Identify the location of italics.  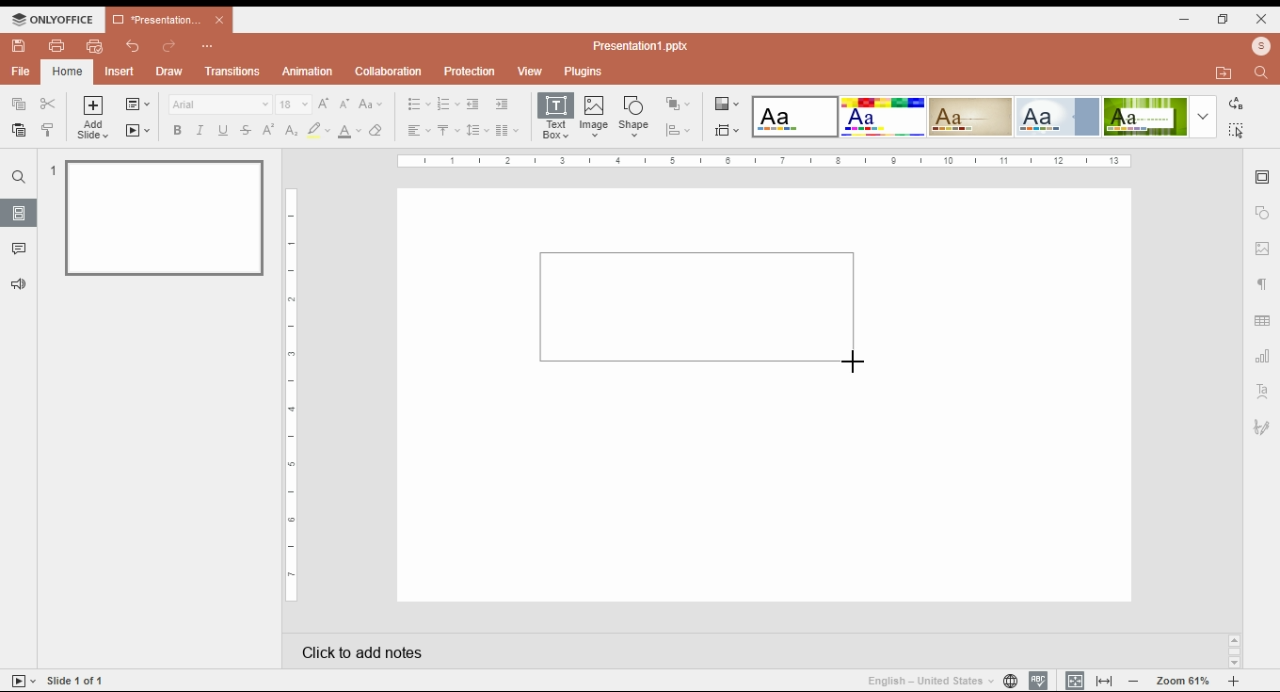
(200, 130).